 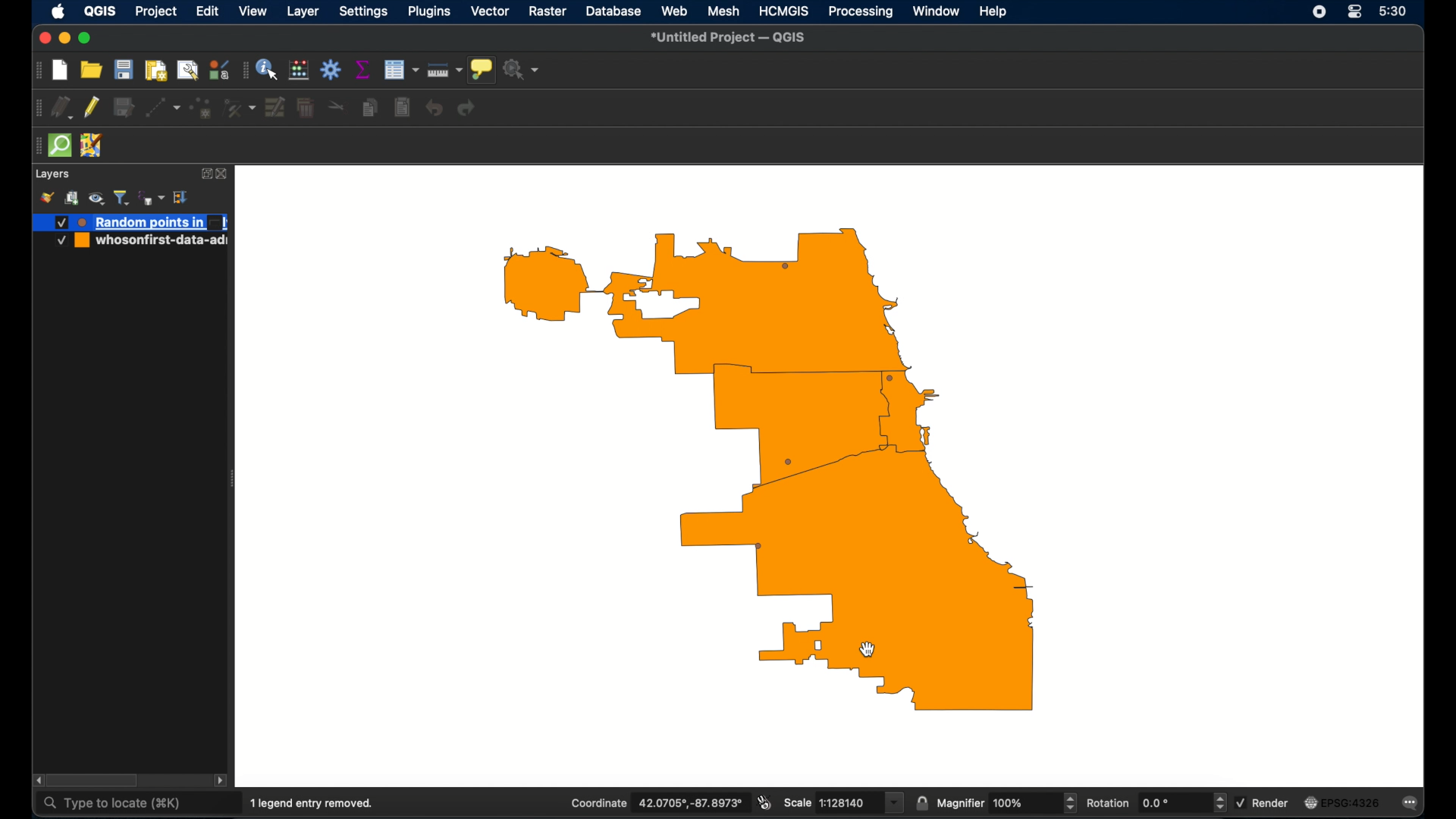 I want to click on redo, so click(x=466, y=109).